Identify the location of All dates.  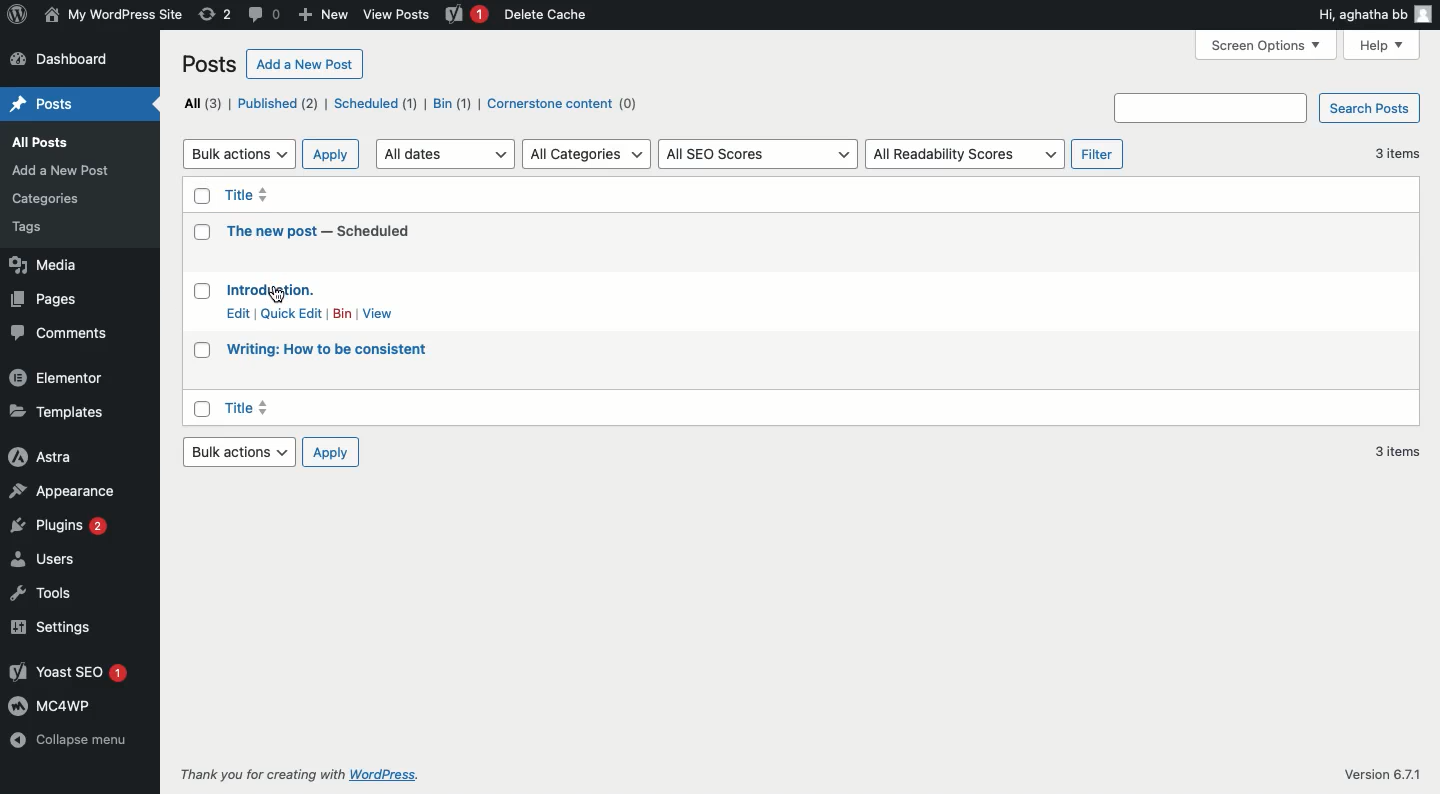
(444, 154).